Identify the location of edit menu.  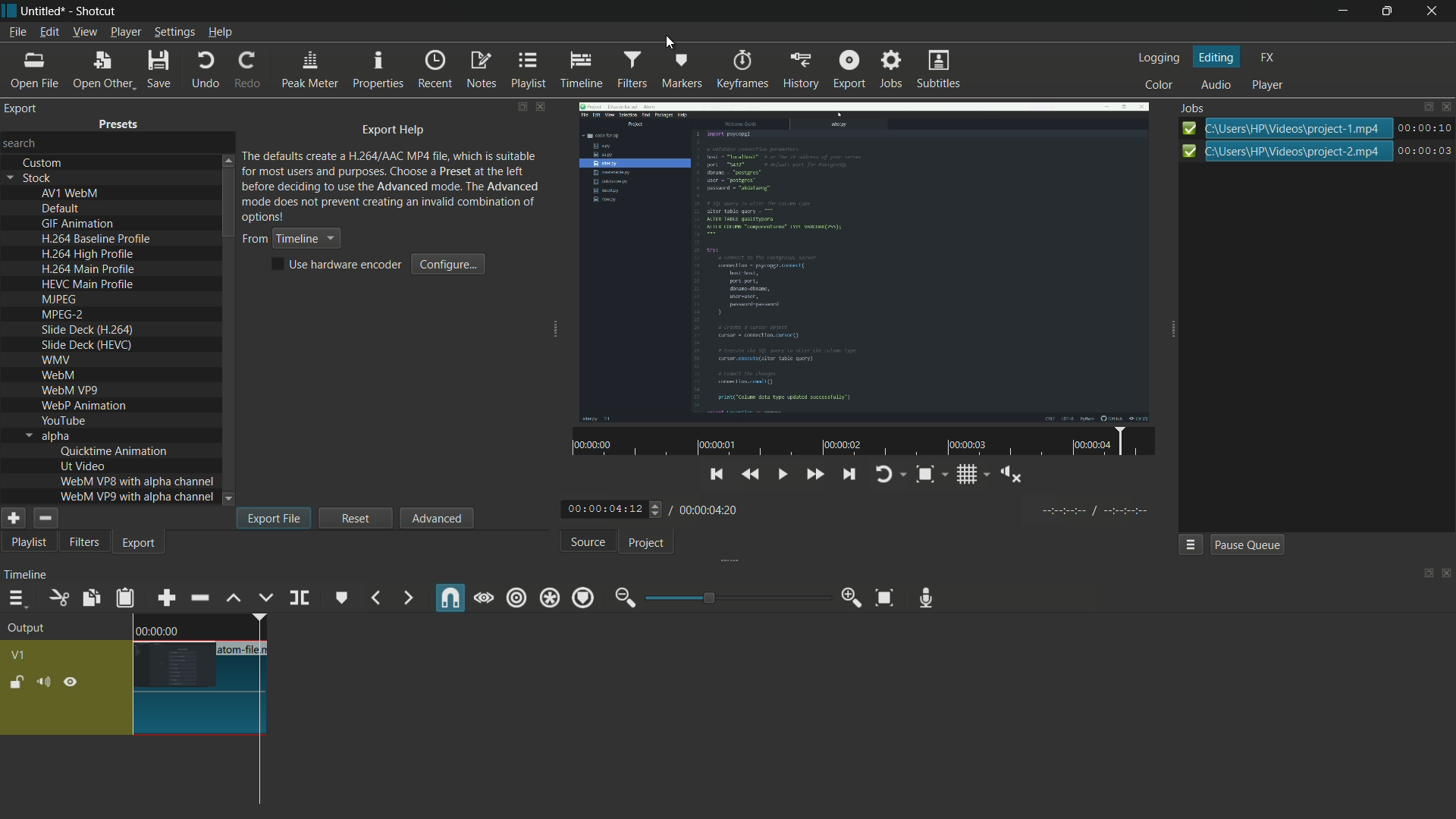
(49, 31).